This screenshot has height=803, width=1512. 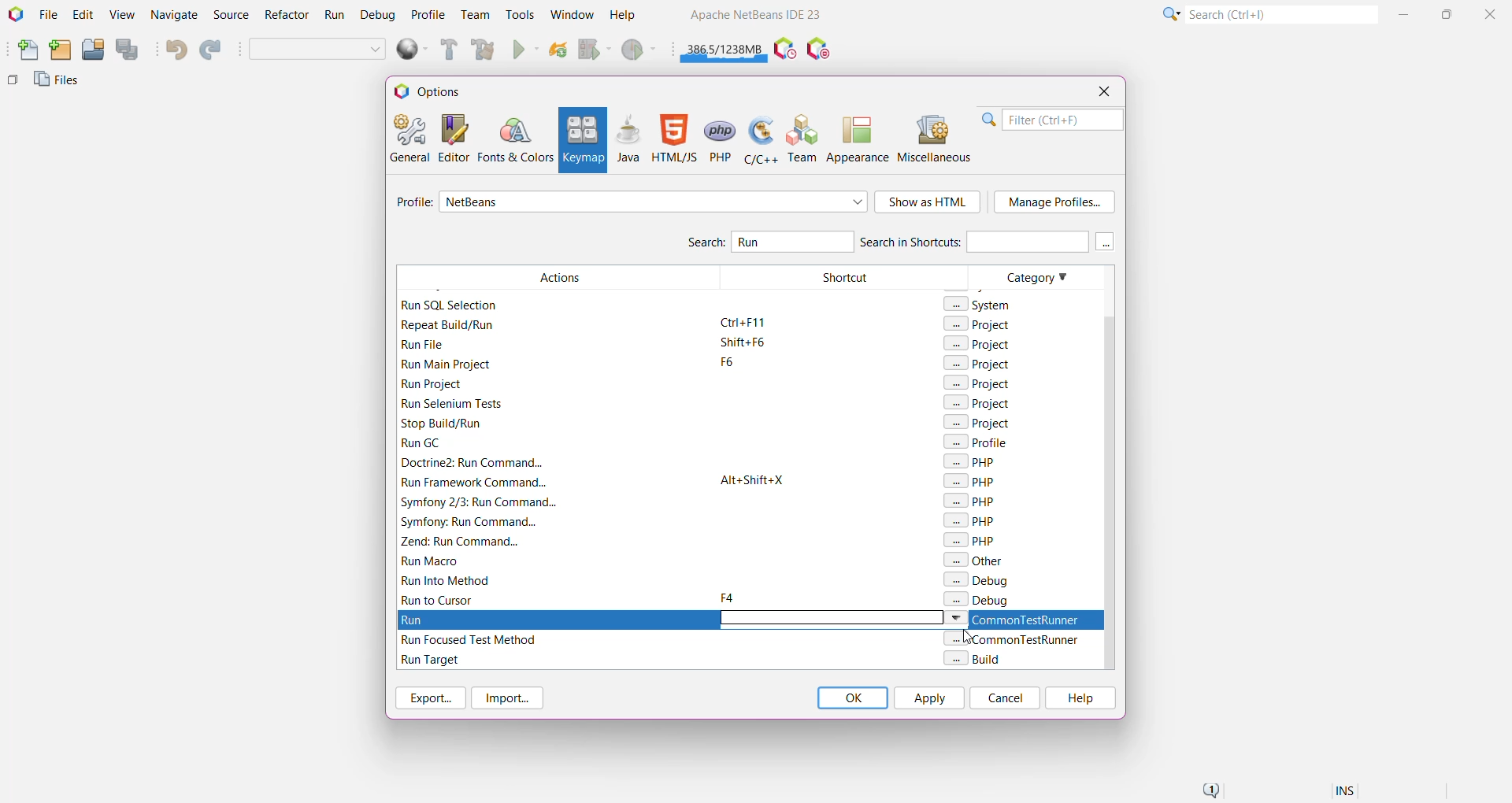 What do you see at coordinates (428, 698) in the screenshot?
I see `Export` at bounding box center [428, 698].